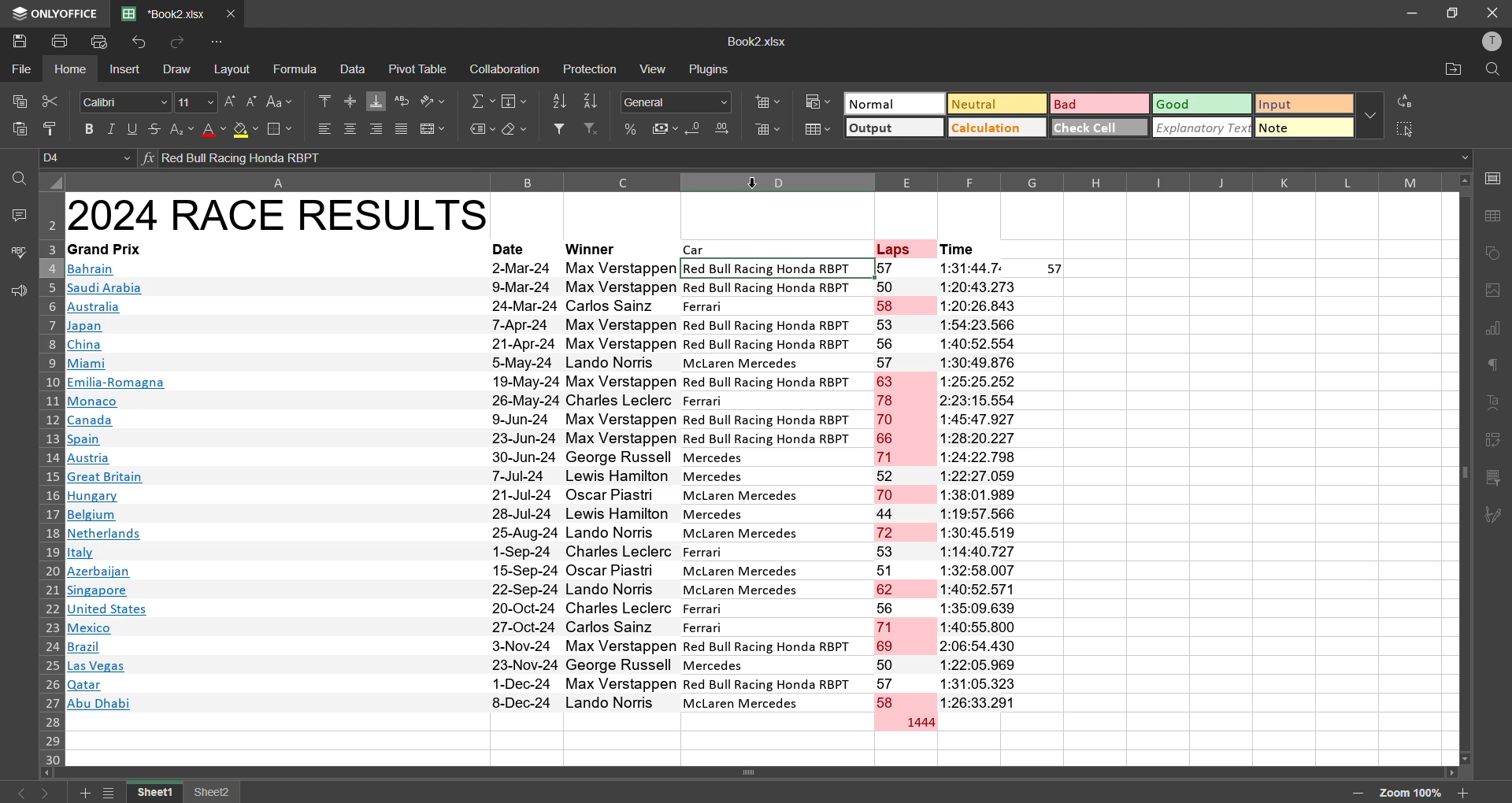 The image size is (1512, 803). Describe the element at coordinates (1202, 103) in the screenshot. I see `good` at that location.